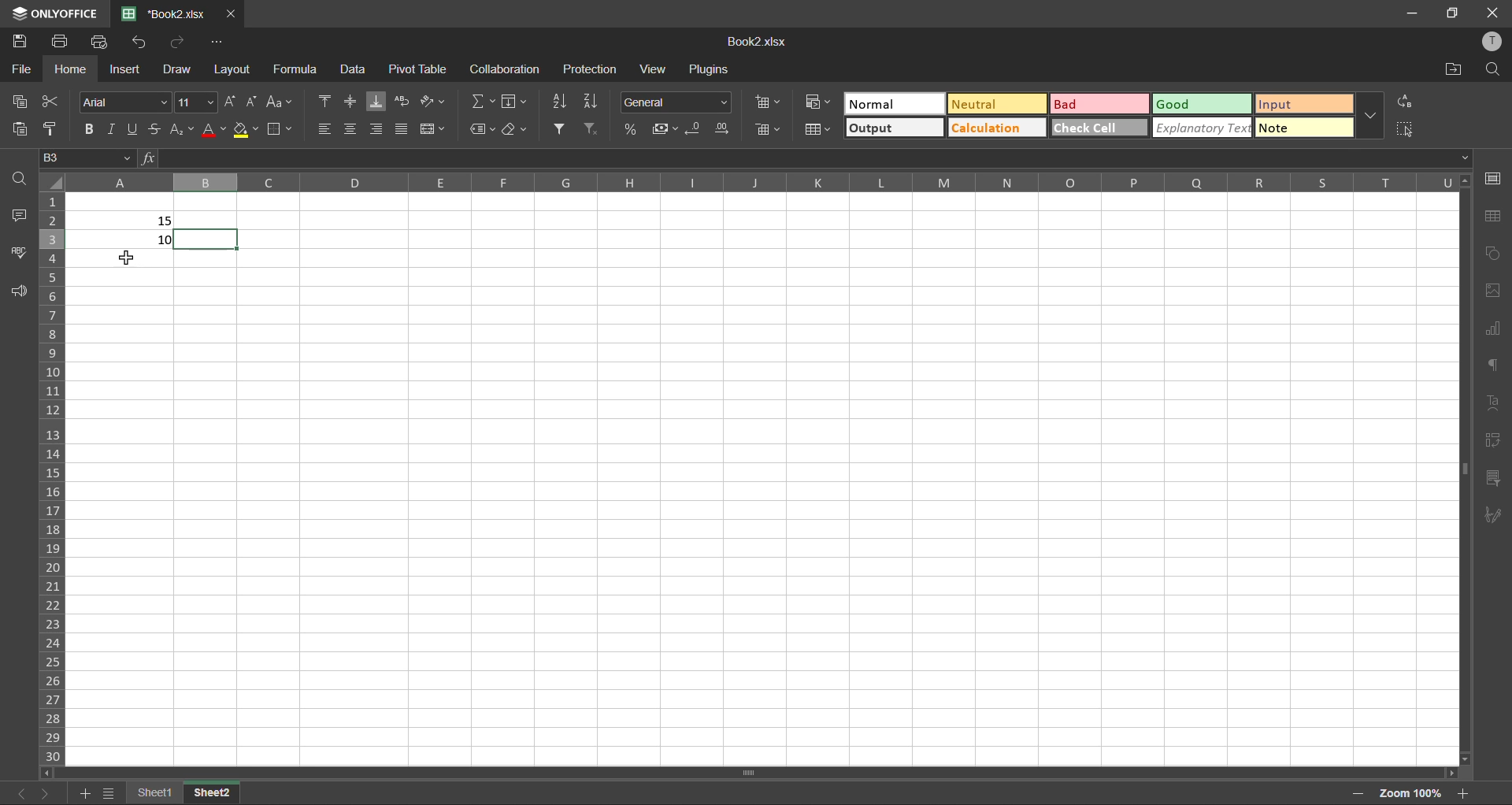  Describe the element at coordinates (1494, 516) in the screenshot. I see `signature` at that location.